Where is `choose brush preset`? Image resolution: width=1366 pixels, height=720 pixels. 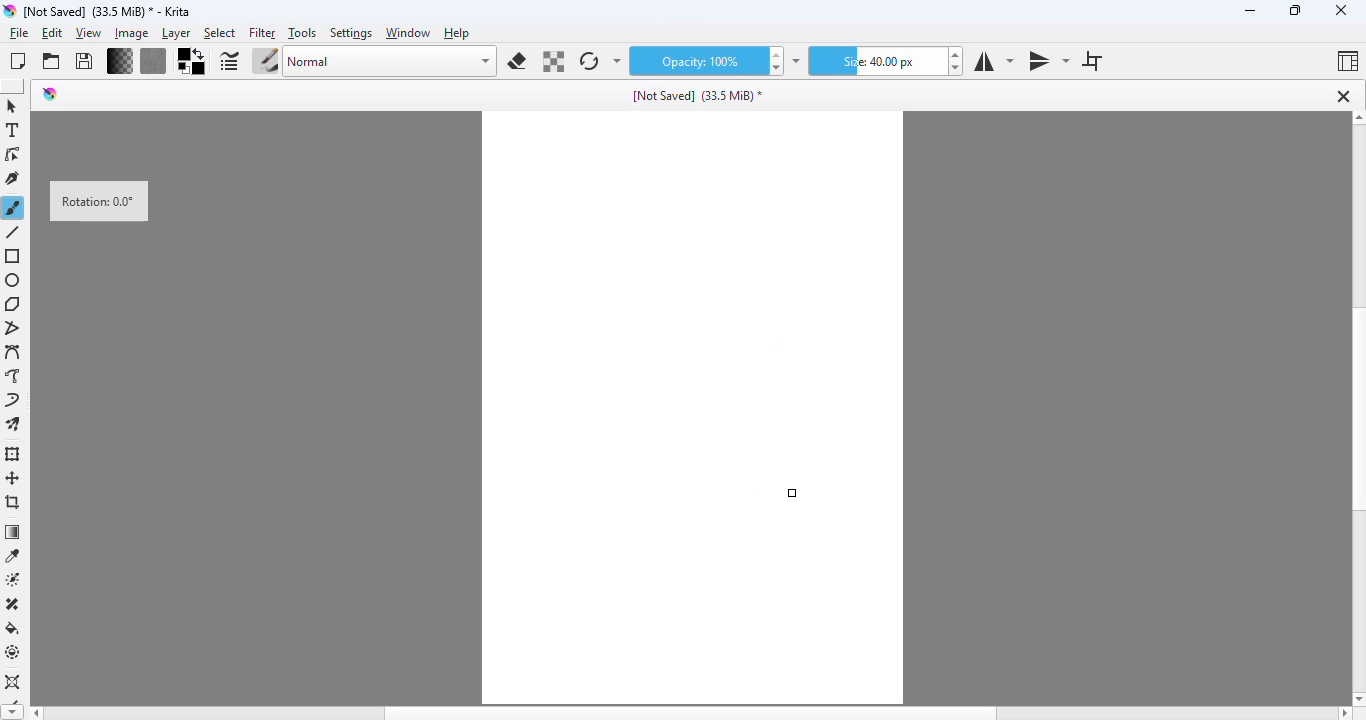
choose brush preset is located at coordinates (266, 61).